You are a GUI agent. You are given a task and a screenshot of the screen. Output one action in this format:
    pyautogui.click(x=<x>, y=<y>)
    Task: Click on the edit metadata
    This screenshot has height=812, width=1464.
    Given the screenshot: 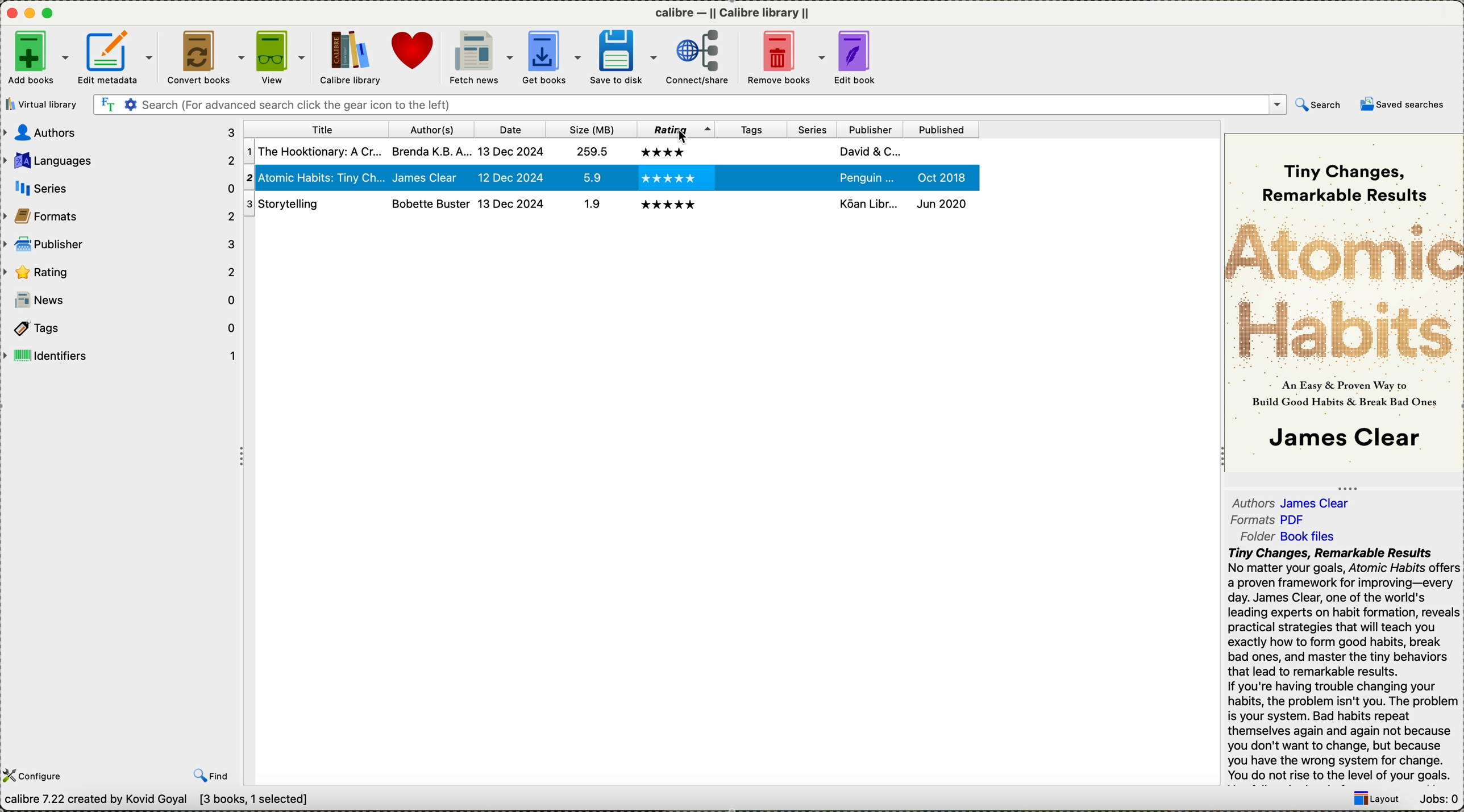 What is the action you would take?
    pyautogui.click(x=117, y=58)
    